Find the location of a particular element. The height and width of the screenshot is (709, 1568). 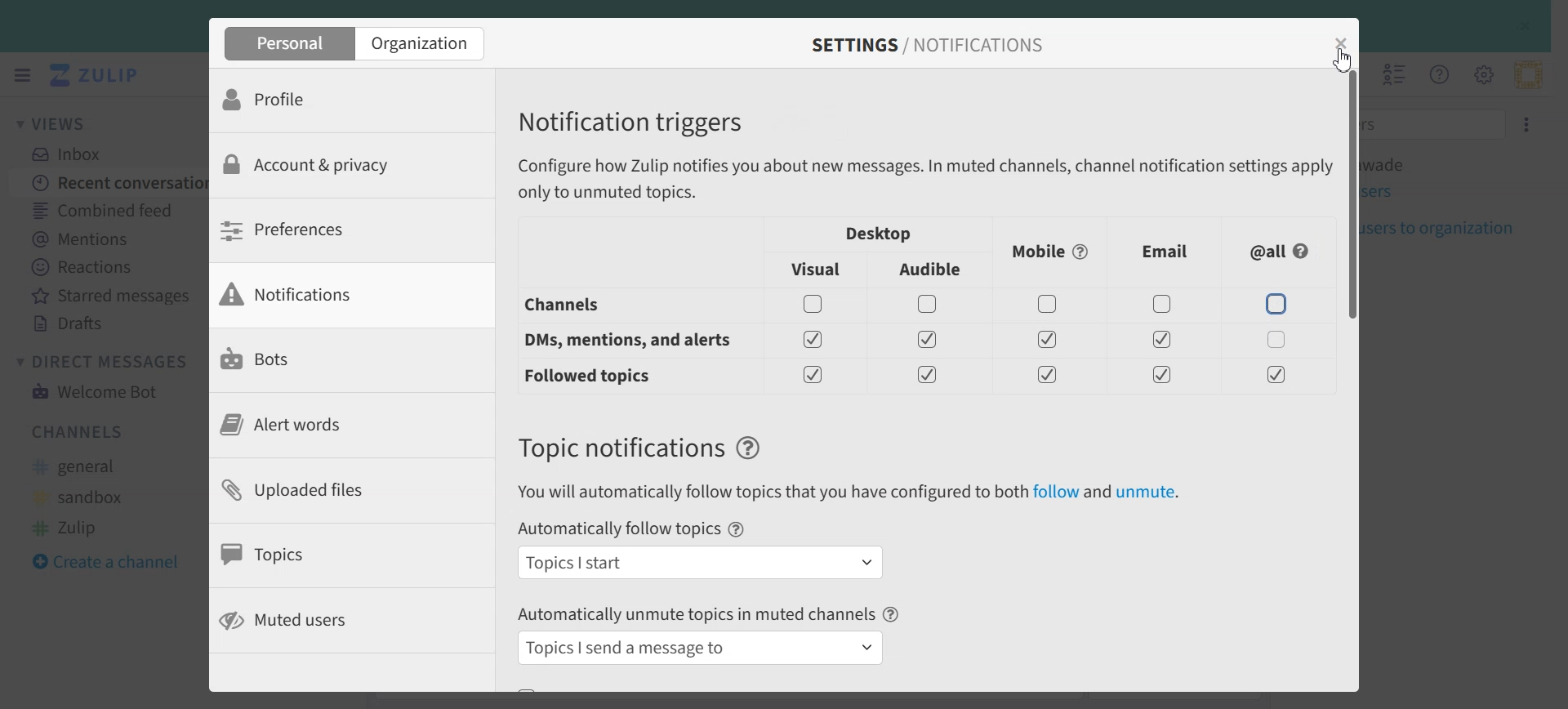

Desktop is located at coordinates (880, 234).